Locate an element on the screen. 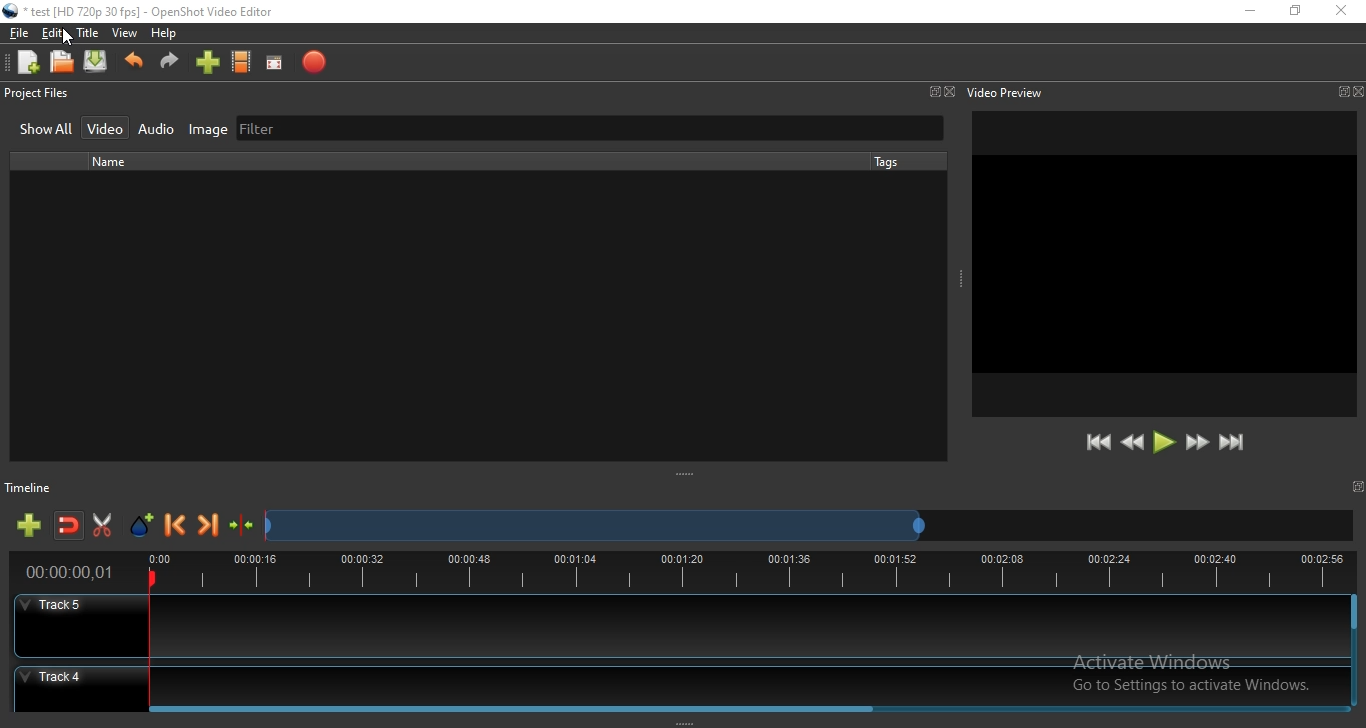  Video is located at coordinates (107, 127).